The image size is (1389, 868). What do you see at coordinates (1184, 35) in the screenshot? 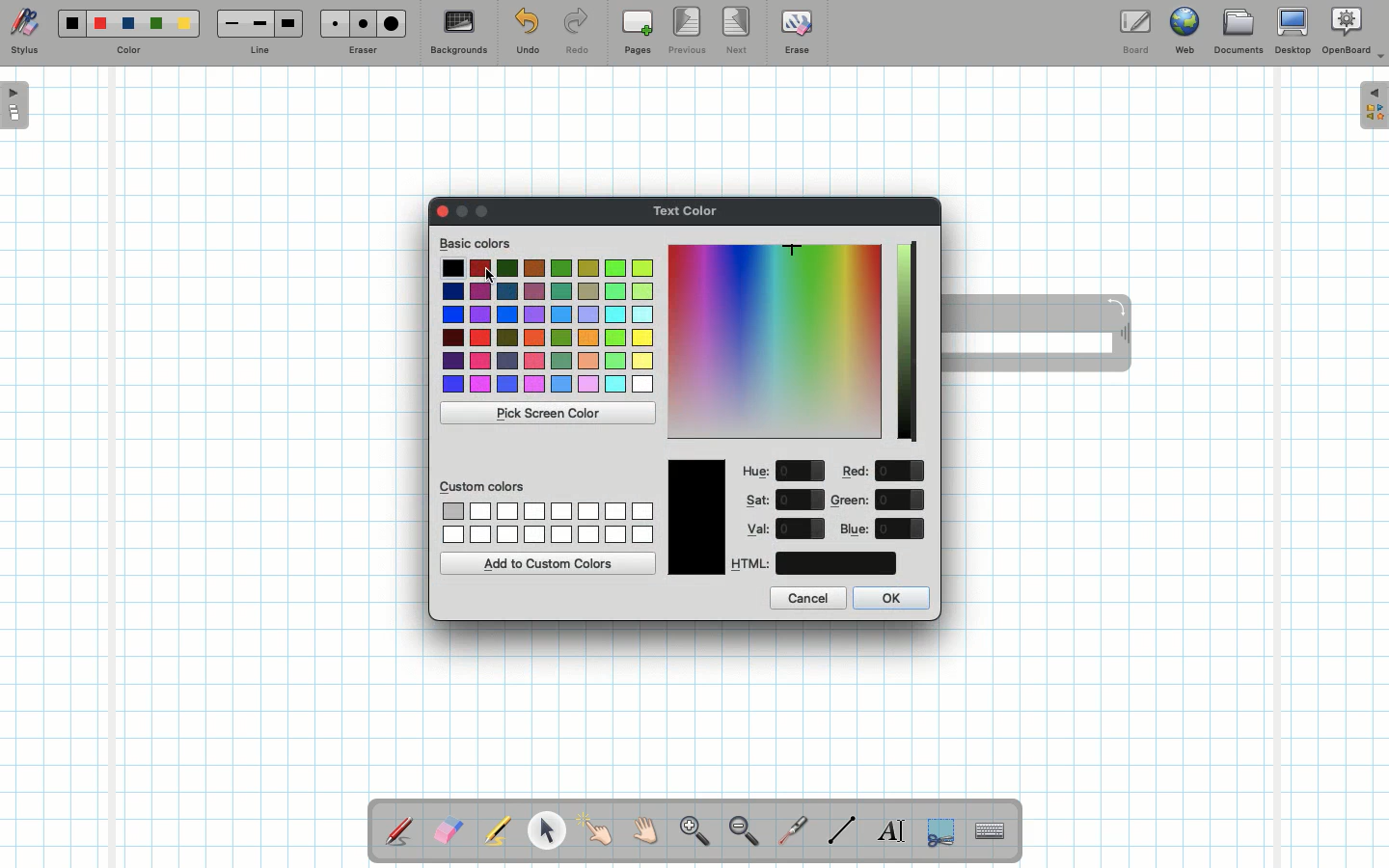
I see `Web` at bounding box center [1184, 35].